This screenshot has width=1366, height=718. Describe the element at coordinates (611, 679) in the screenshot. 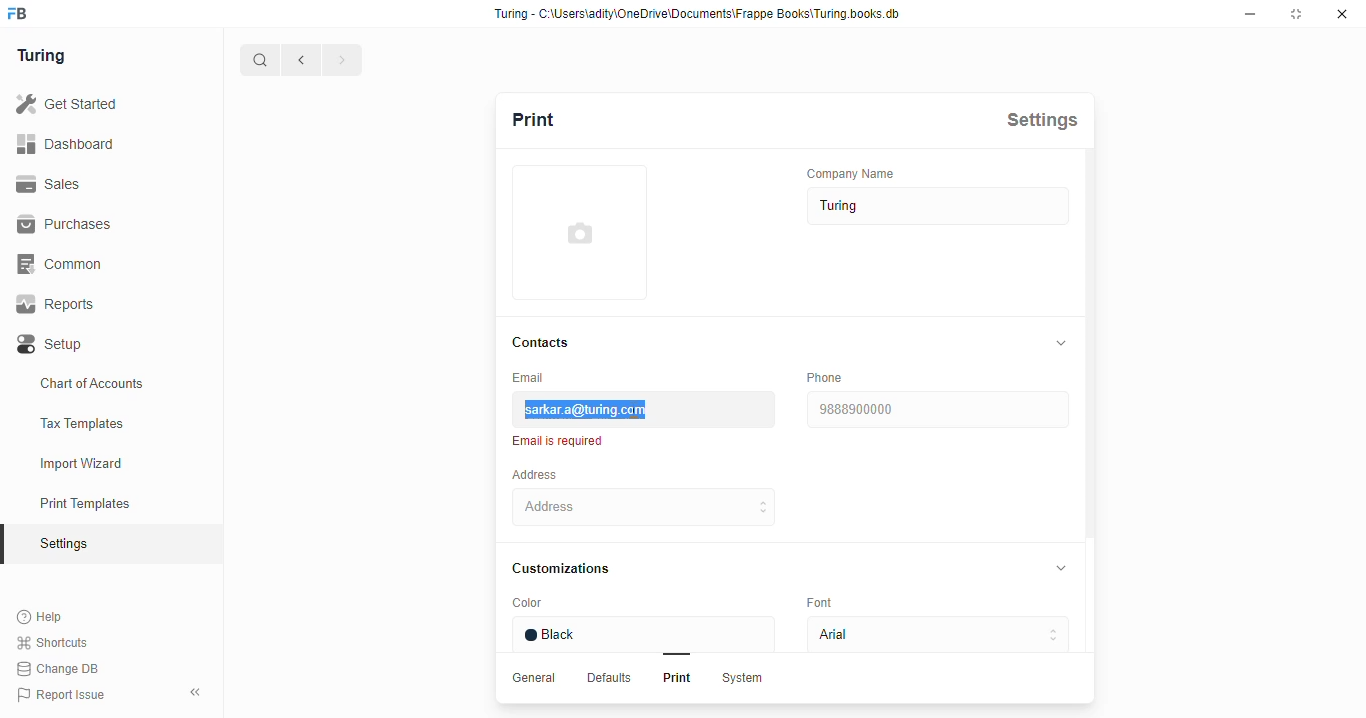

I see `Defaults` at that location.